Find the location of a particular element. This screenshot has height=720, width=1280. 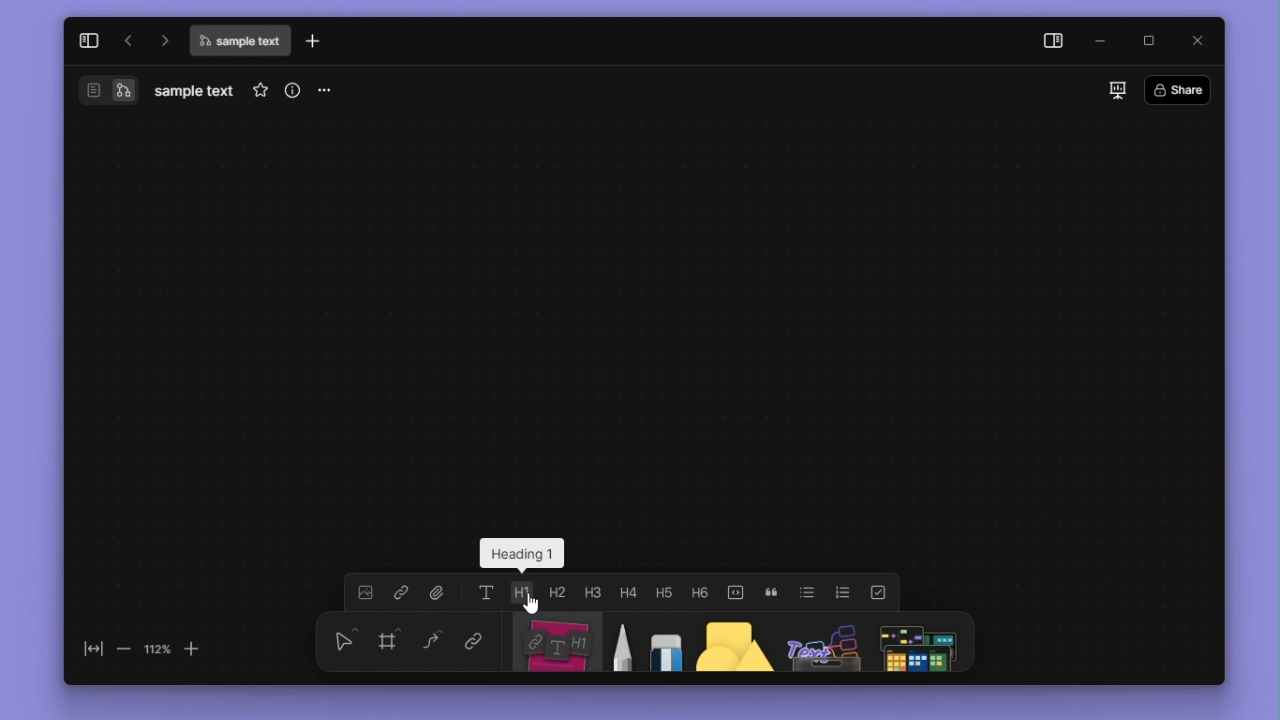

collapse sidebar is located at coordinates (89, 41).